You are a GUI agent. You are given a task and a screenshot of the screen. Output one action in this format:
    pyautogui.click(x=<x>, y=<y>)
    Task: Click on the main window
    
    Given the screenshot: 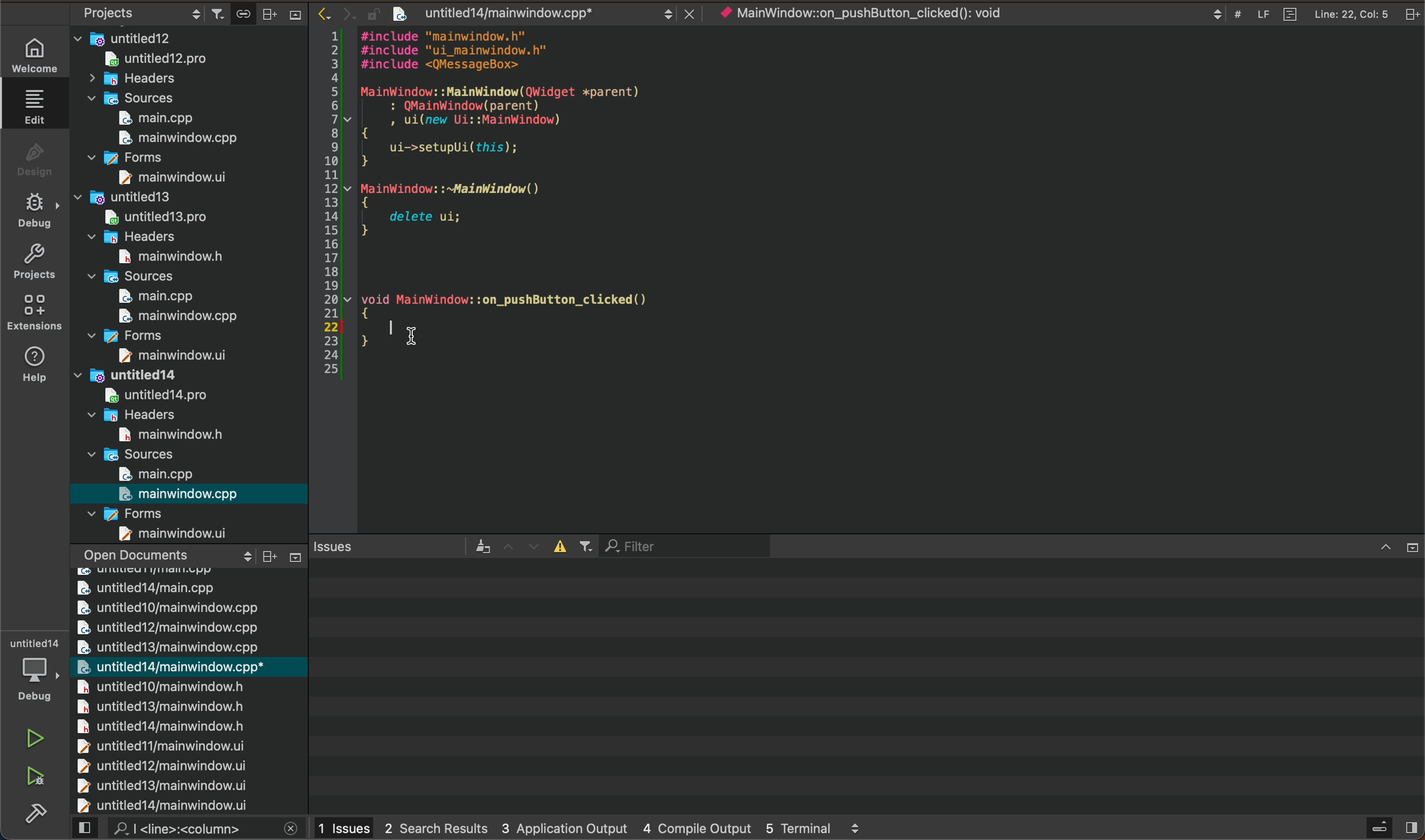 What is the action you would take?
    pyautogui.click(x=178, y=533)
    